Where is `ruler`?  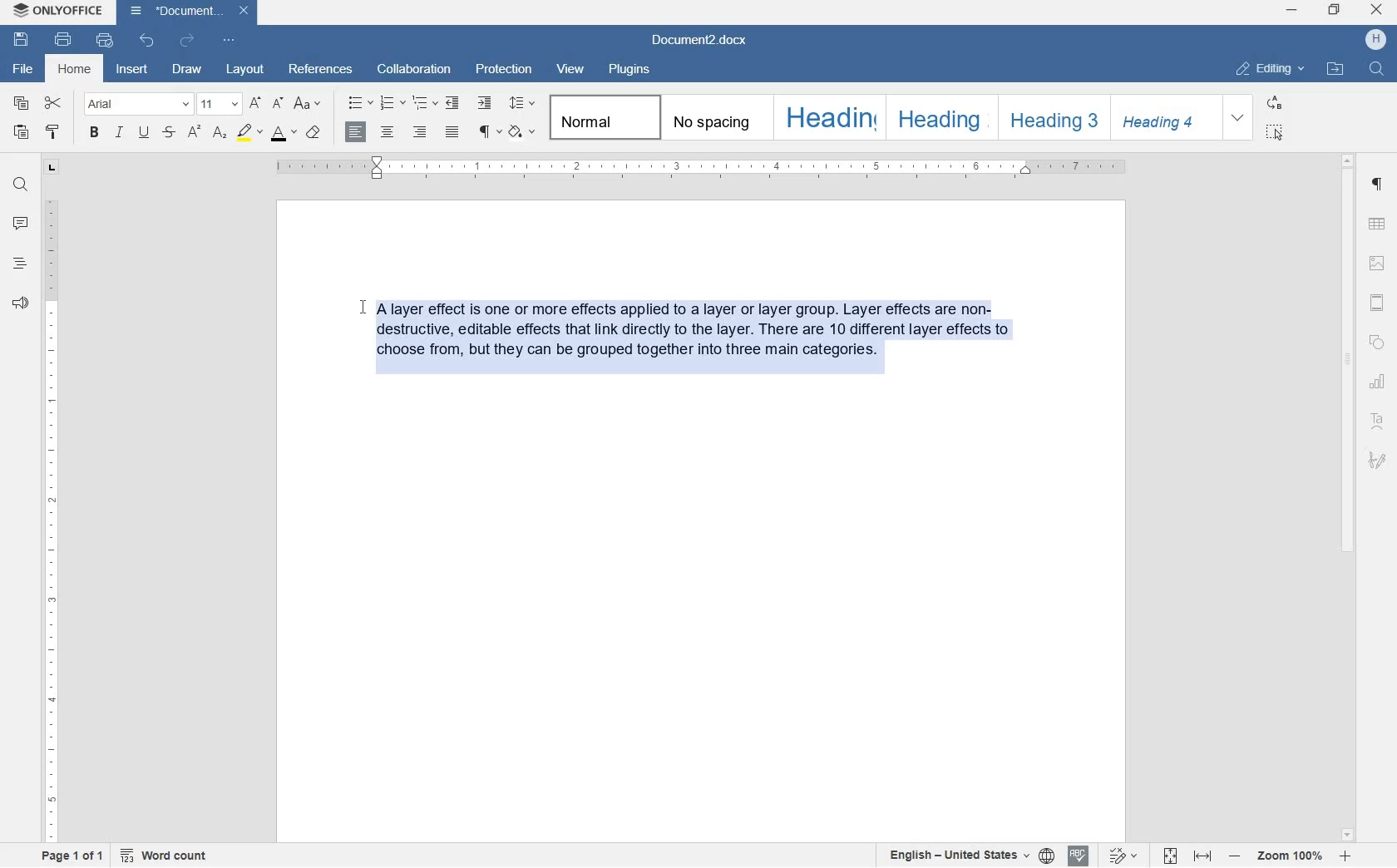 ruler is located at coordinates (51, 516).